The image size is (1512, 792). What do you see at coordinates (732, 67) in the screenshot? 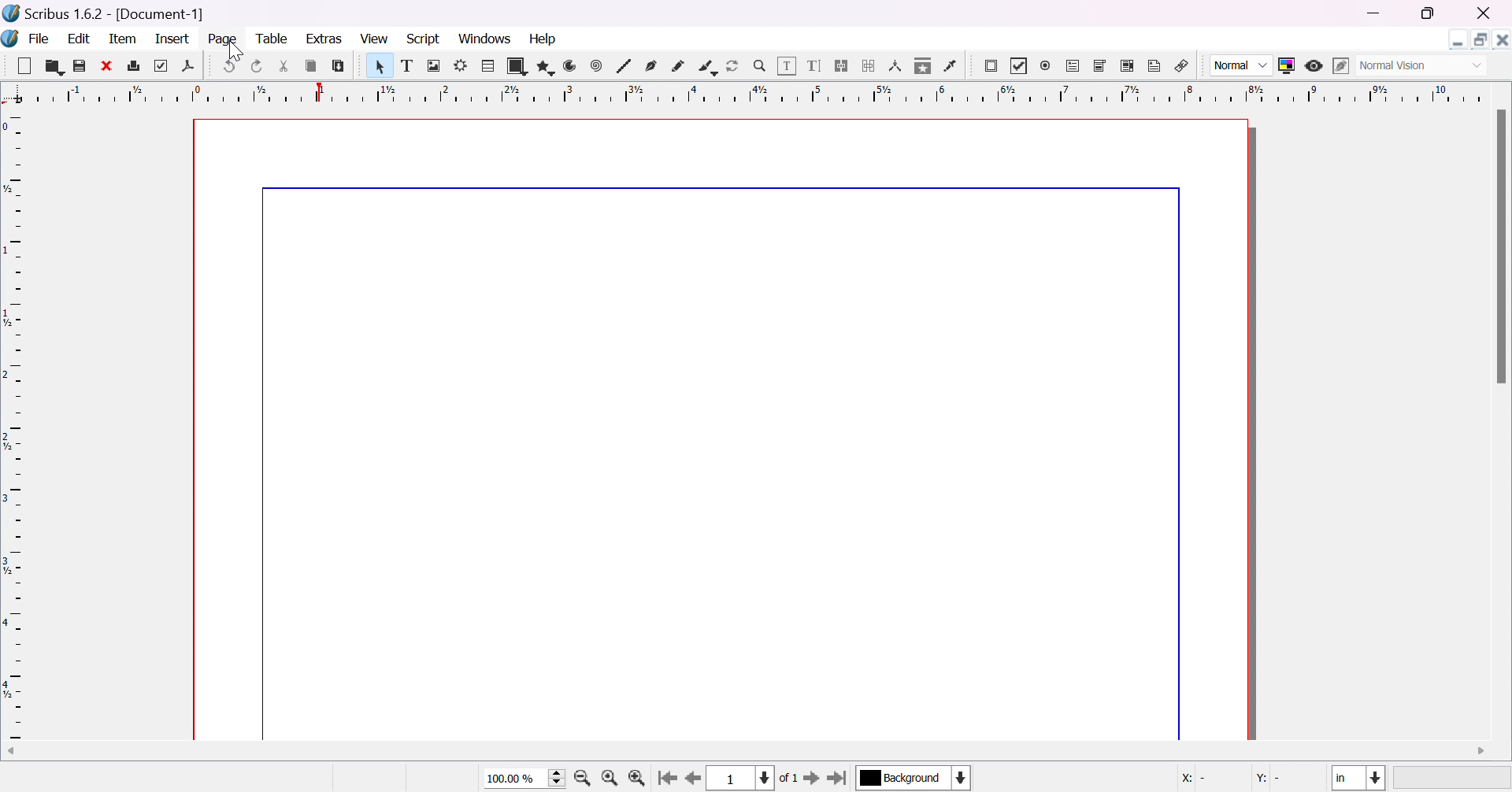
I see `rotate item` at bounding box center [732, 67].